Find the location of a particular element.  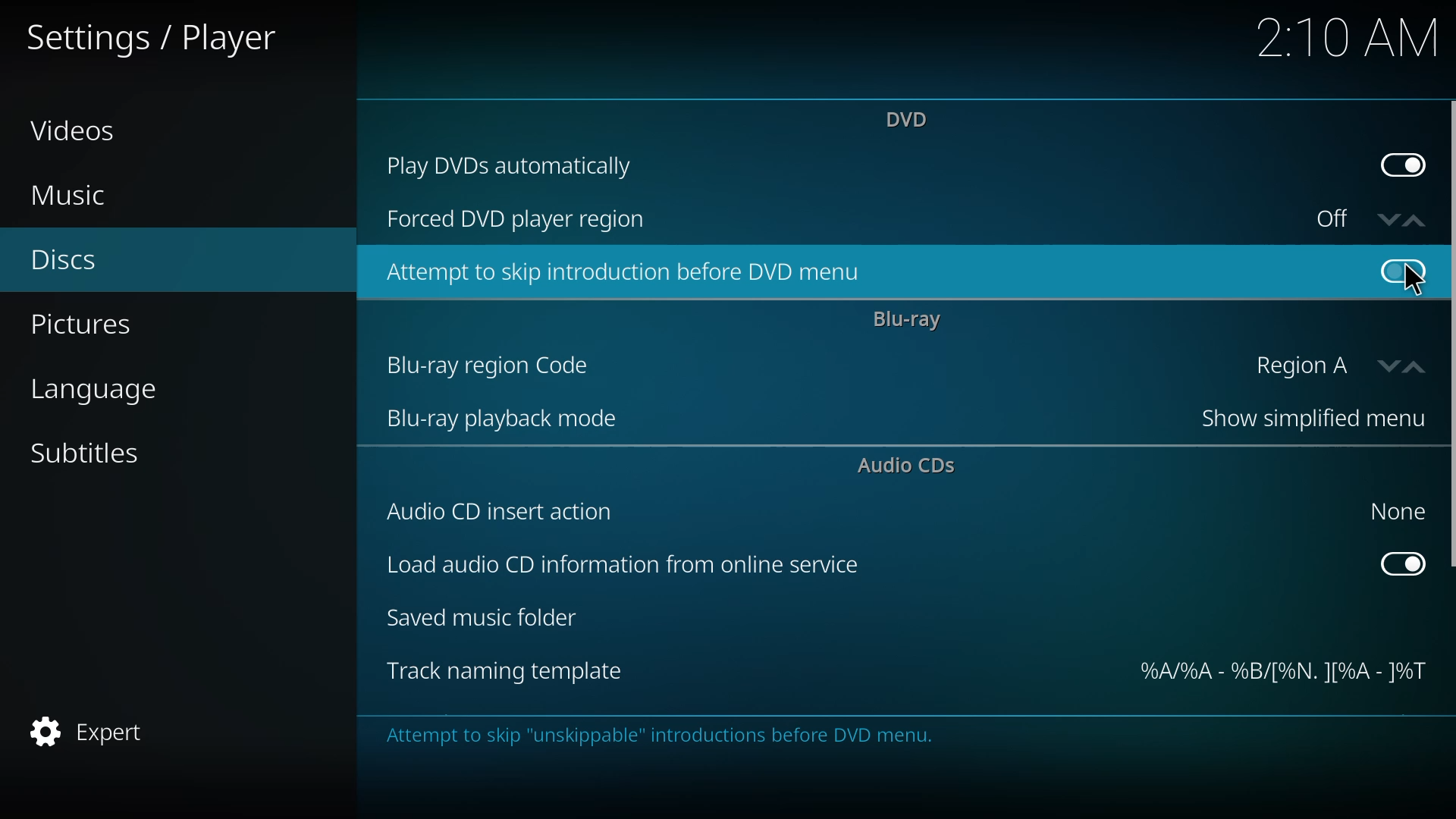

none is located at coordinates (1388, 510).